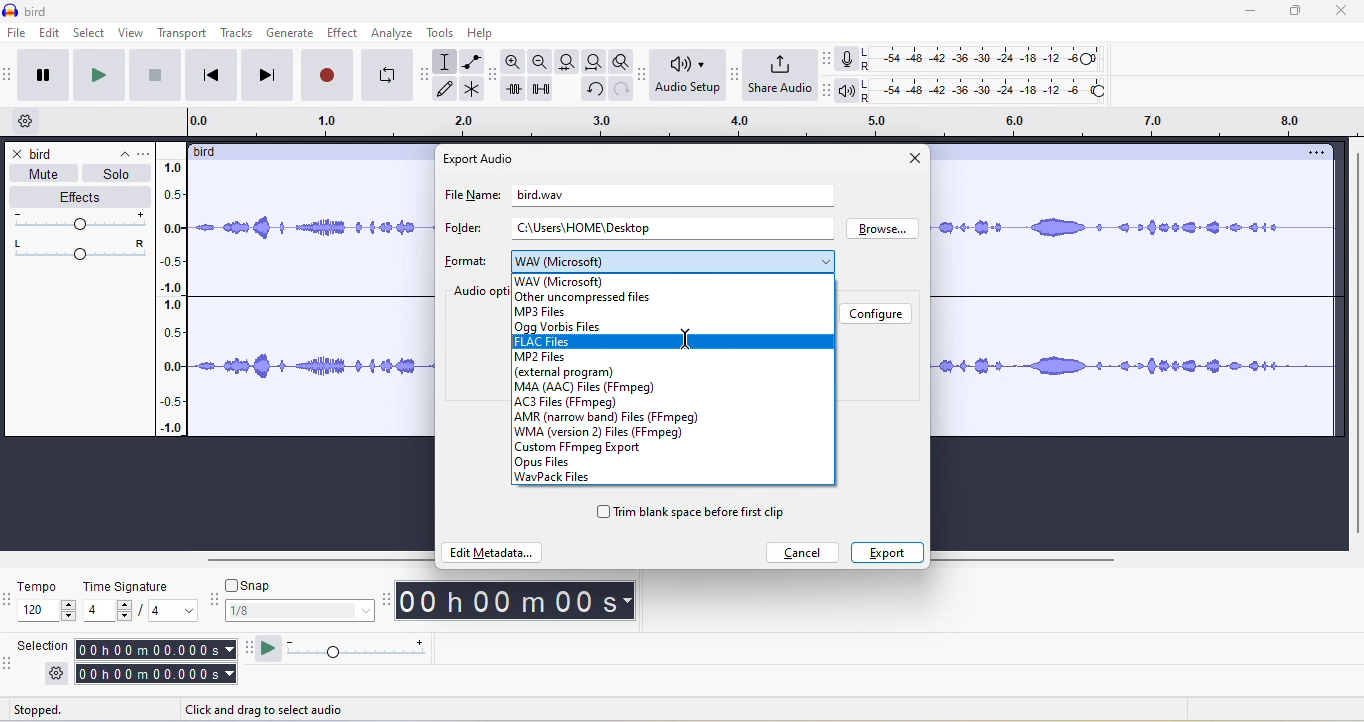 Image resolution: width=1364 pixels, height=722 pixels. I want to click on stopped, so click(59, 711).